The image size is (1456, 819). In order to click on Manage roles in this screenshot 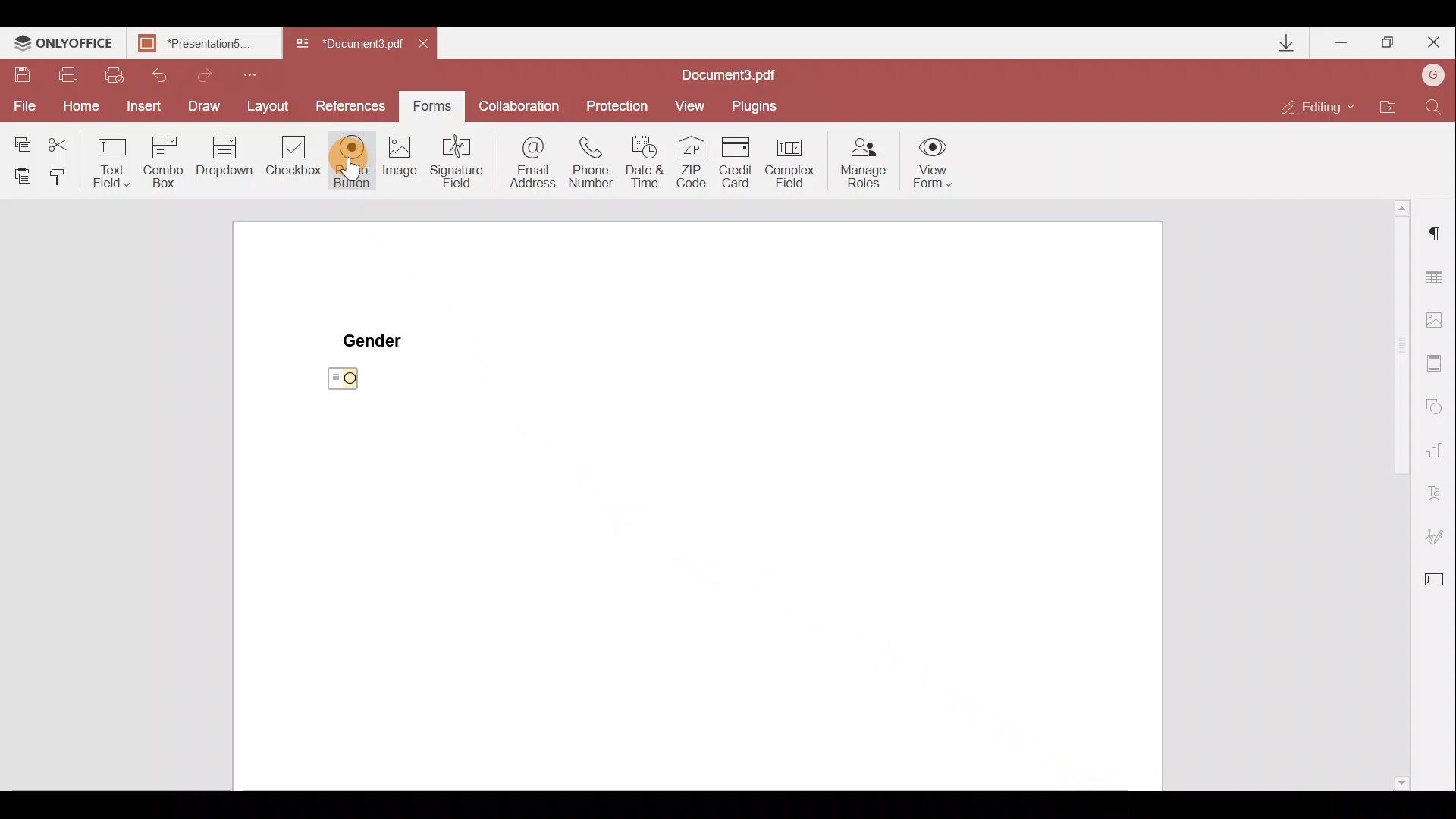, I will do `click(859, 162)`.